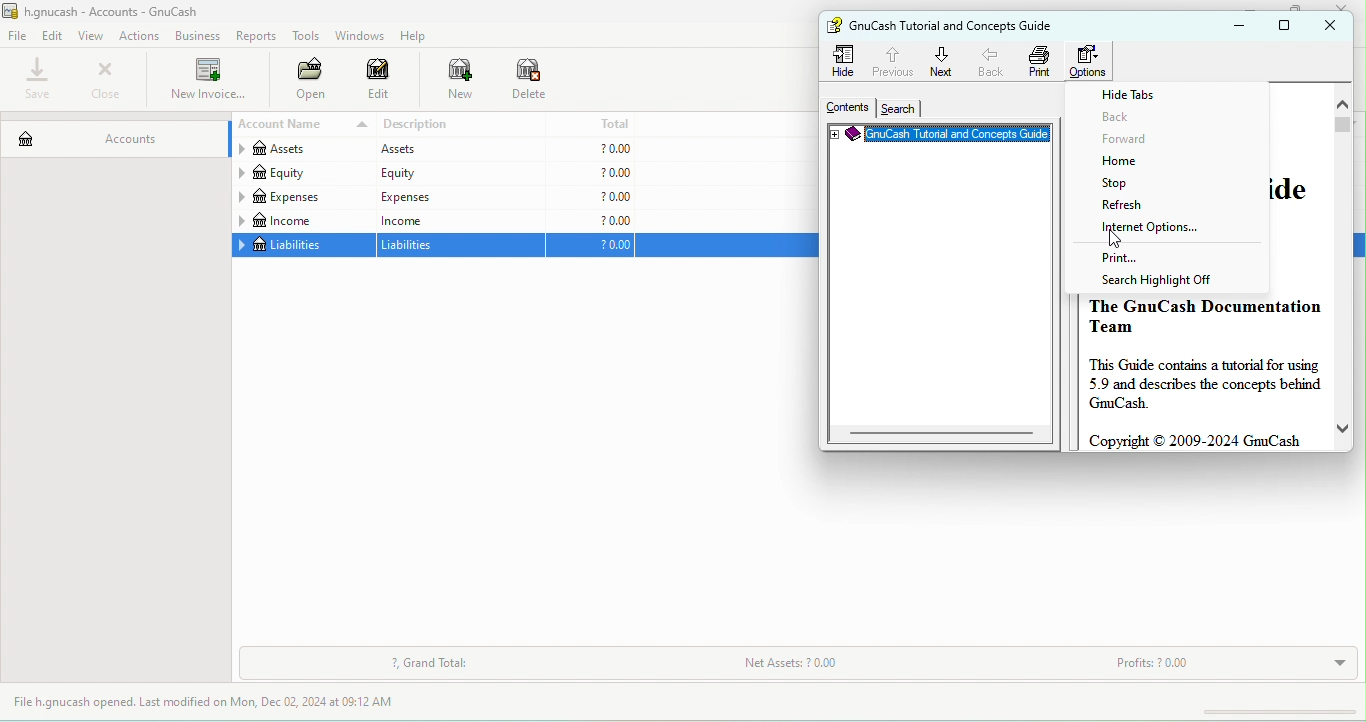 The height and width of the screenshot is (722, 1366). What do you see at coordinates (418, 36) in the screenshot?
I see `help` at bounding box center [418, 36].